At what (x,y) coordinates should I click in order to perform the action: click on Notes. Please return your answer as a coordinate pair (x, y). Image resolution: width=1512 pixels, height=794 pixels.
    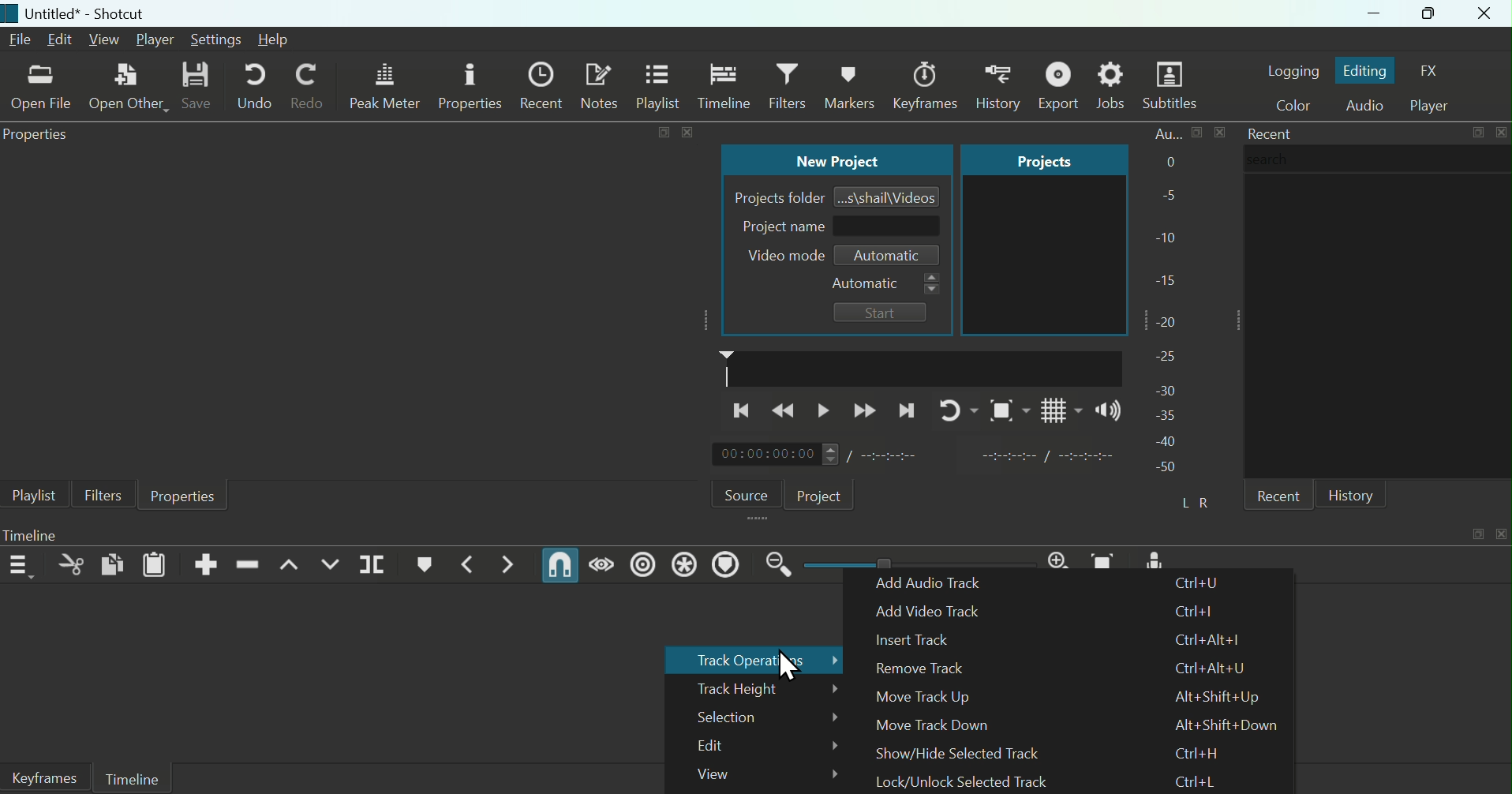
    Looking at the image, I should click on (602, 86).